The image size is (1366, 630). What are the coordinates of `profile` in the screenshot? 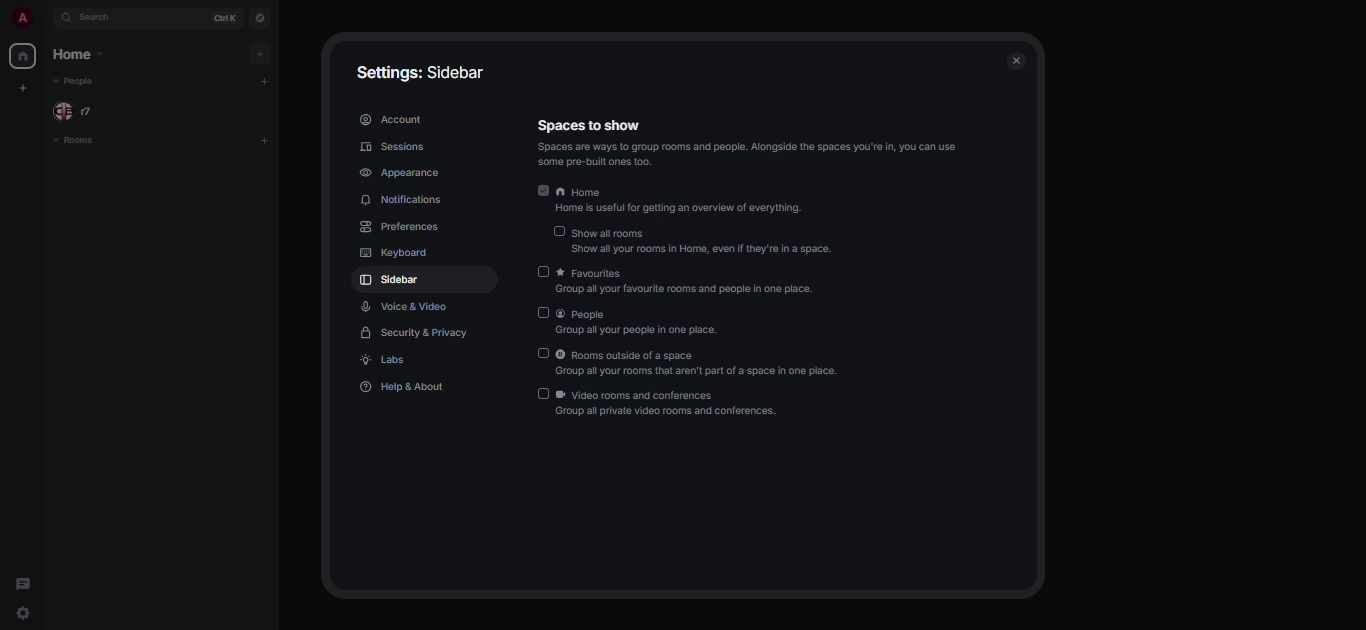 It's located at (20, 18).